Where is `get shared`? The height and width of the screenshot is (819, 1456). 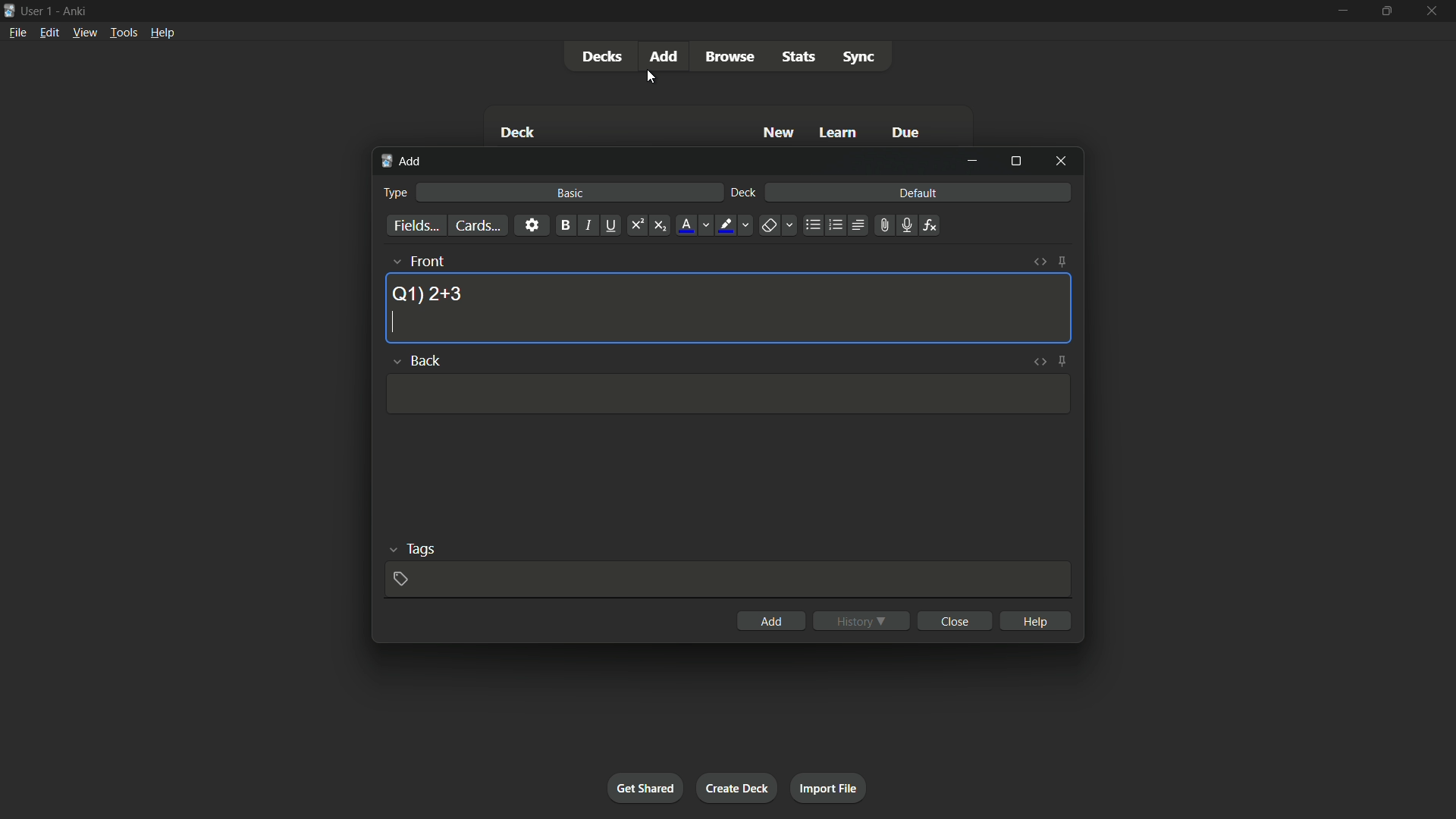
get shared is located at coordinates (645, 787).